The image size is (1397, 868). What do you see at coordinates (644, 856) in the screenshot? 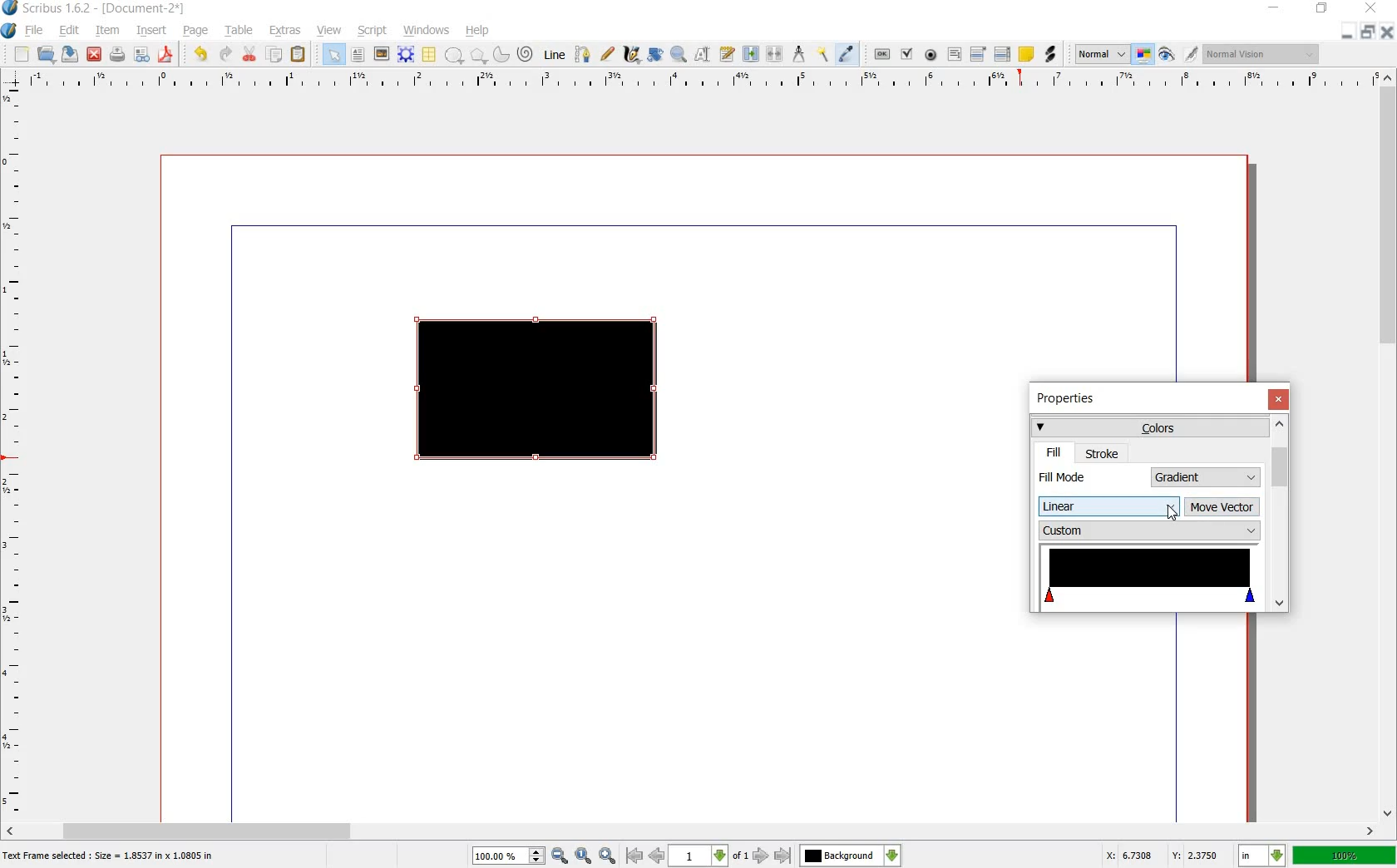
I see `go to previous or first page` at bounding box center [644, 856].